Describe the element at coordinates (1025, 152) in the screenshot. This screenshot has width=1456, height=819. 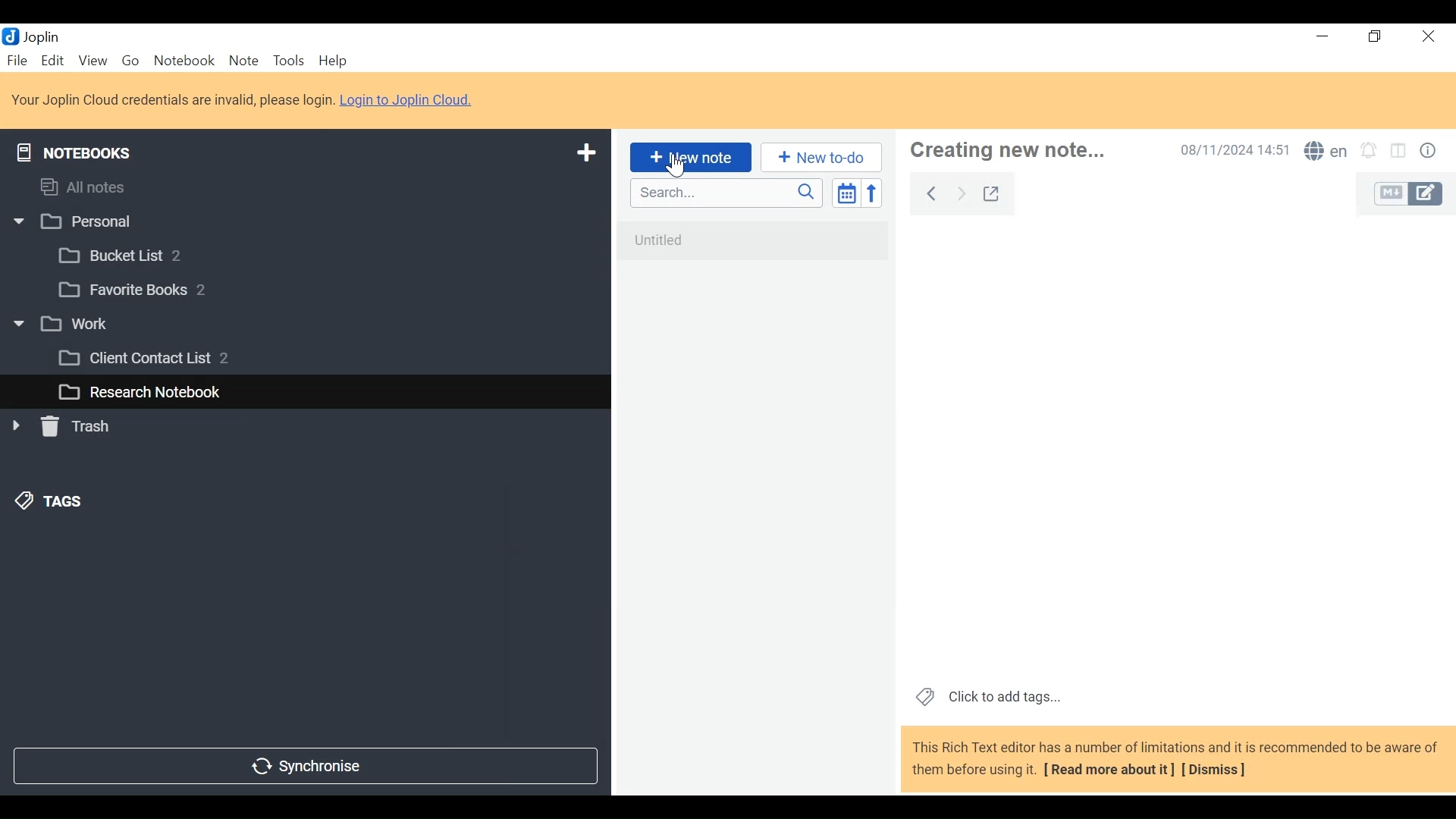
I see `Note Name` at that location.